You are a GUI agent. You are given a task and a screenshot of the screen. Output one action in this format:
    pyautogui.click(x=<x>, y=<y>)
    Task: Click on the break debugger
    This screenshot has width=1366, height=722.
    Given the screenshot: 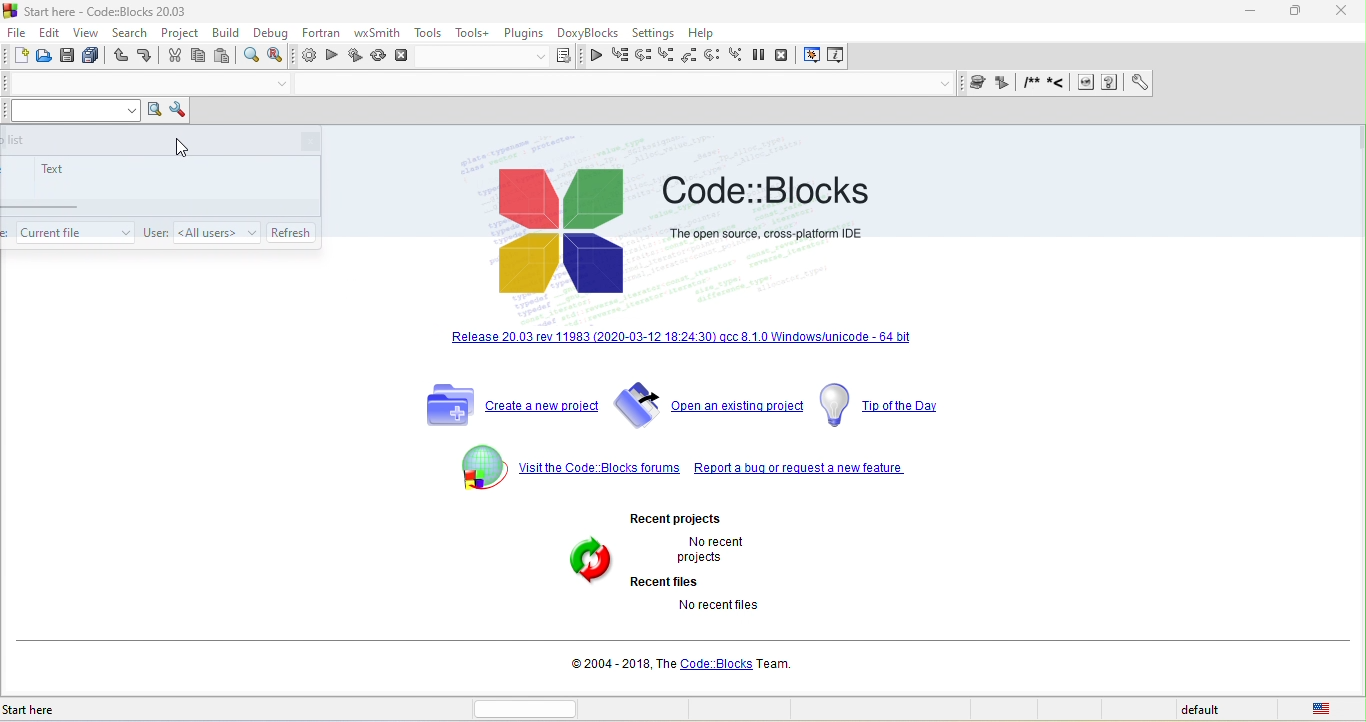 What is the action you would take?
    pyautogui.click(x=765, y=57)
    